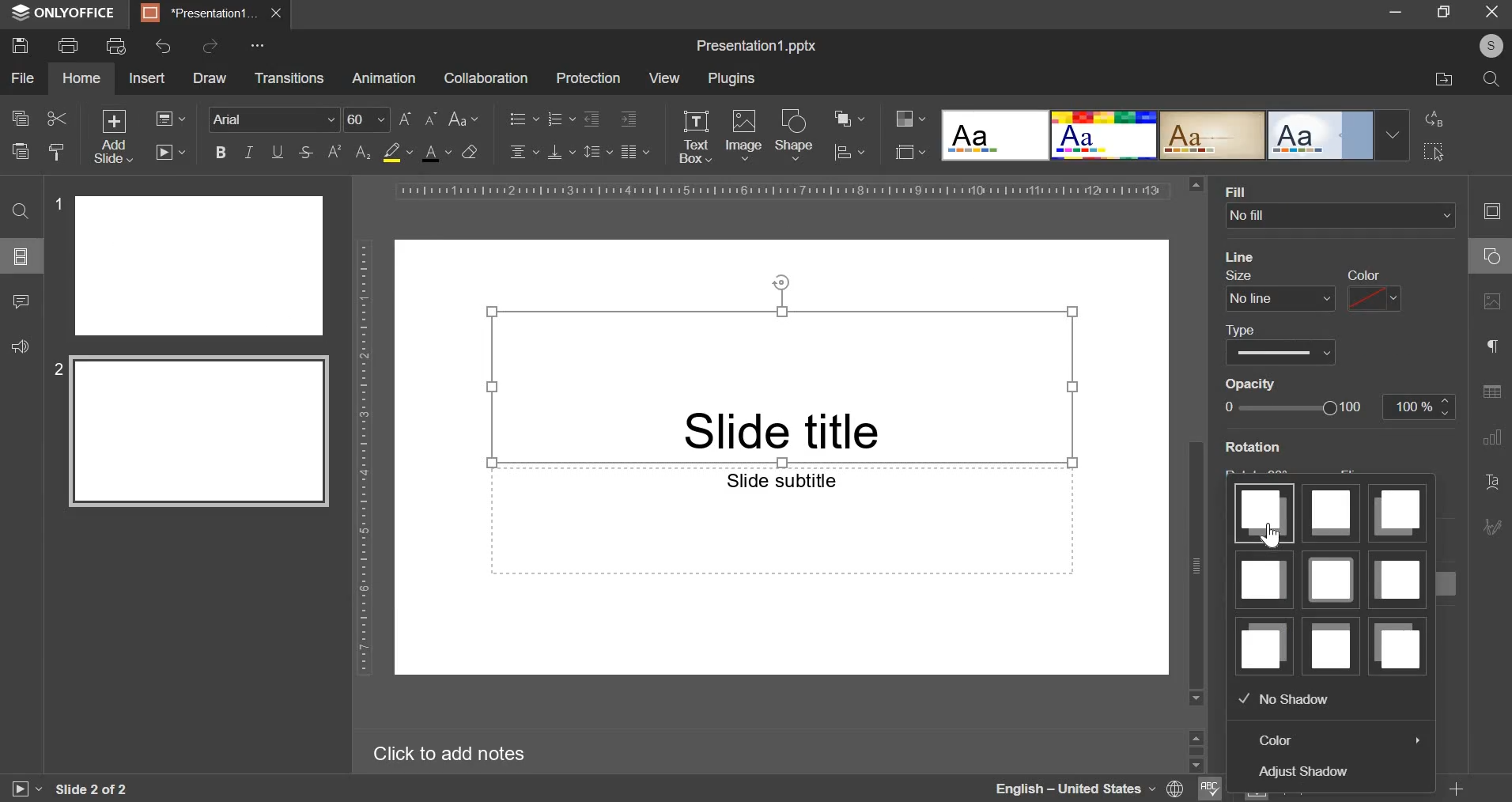 The width and height of the screenshot is (1512, 802). I want to click on full screen, so click(1450, 13).